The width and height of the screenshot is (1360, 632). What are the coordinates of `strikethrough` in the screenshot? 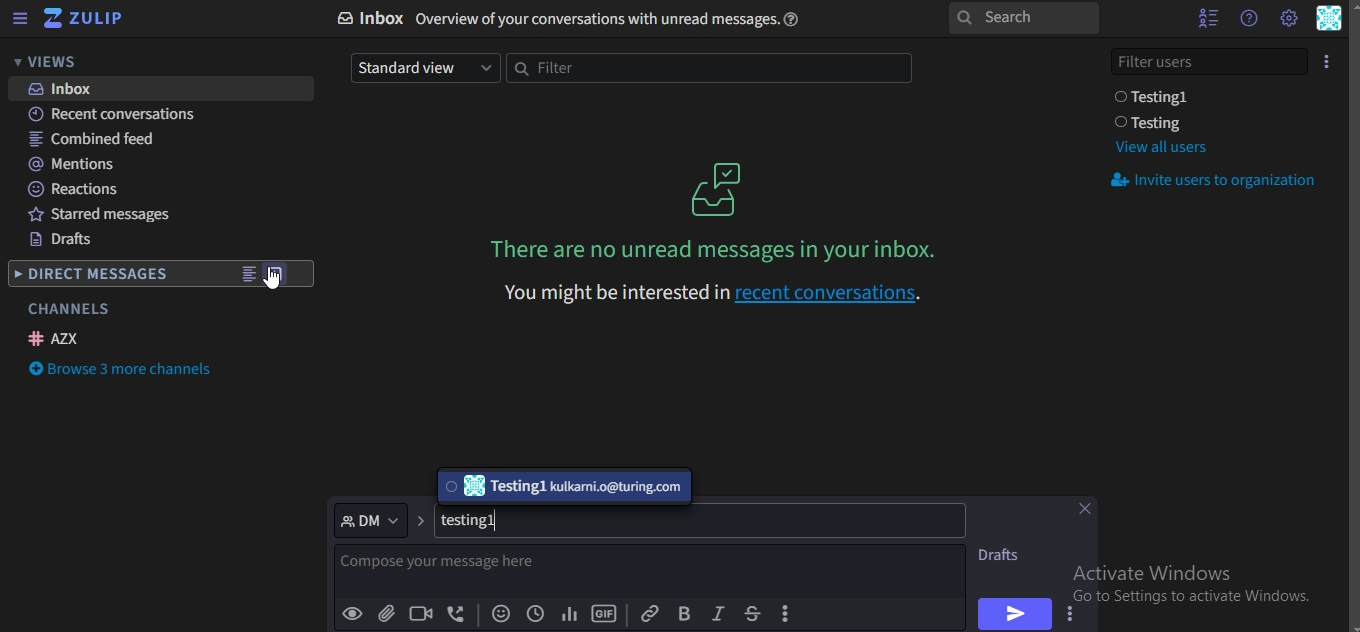 It's located at (751, 613).